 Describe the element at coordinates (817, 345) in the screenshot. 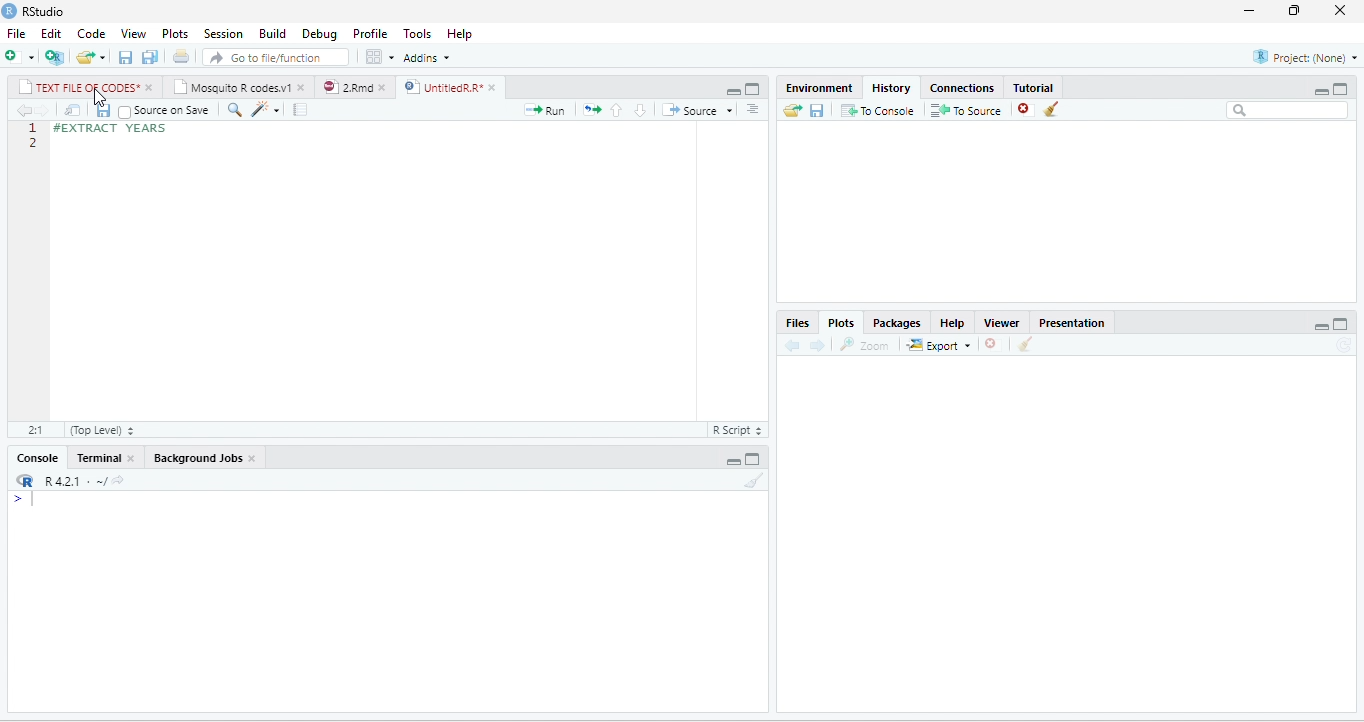

I see `forward` at that location.